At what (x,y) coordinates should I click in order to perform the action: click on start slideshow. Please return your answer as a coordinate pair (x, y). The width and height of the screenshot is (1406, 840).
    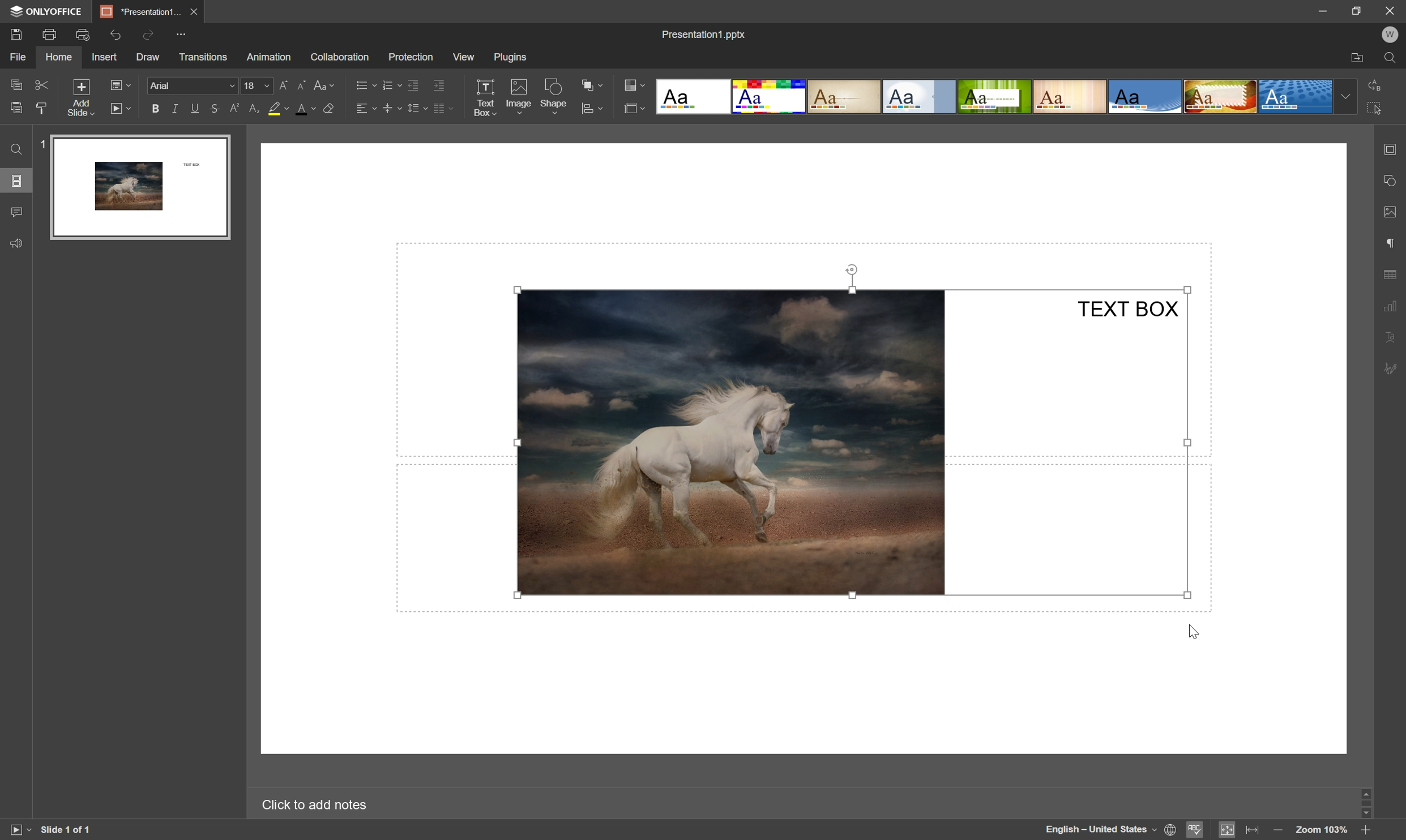
    Looking at the image, I should click on (16, 829).